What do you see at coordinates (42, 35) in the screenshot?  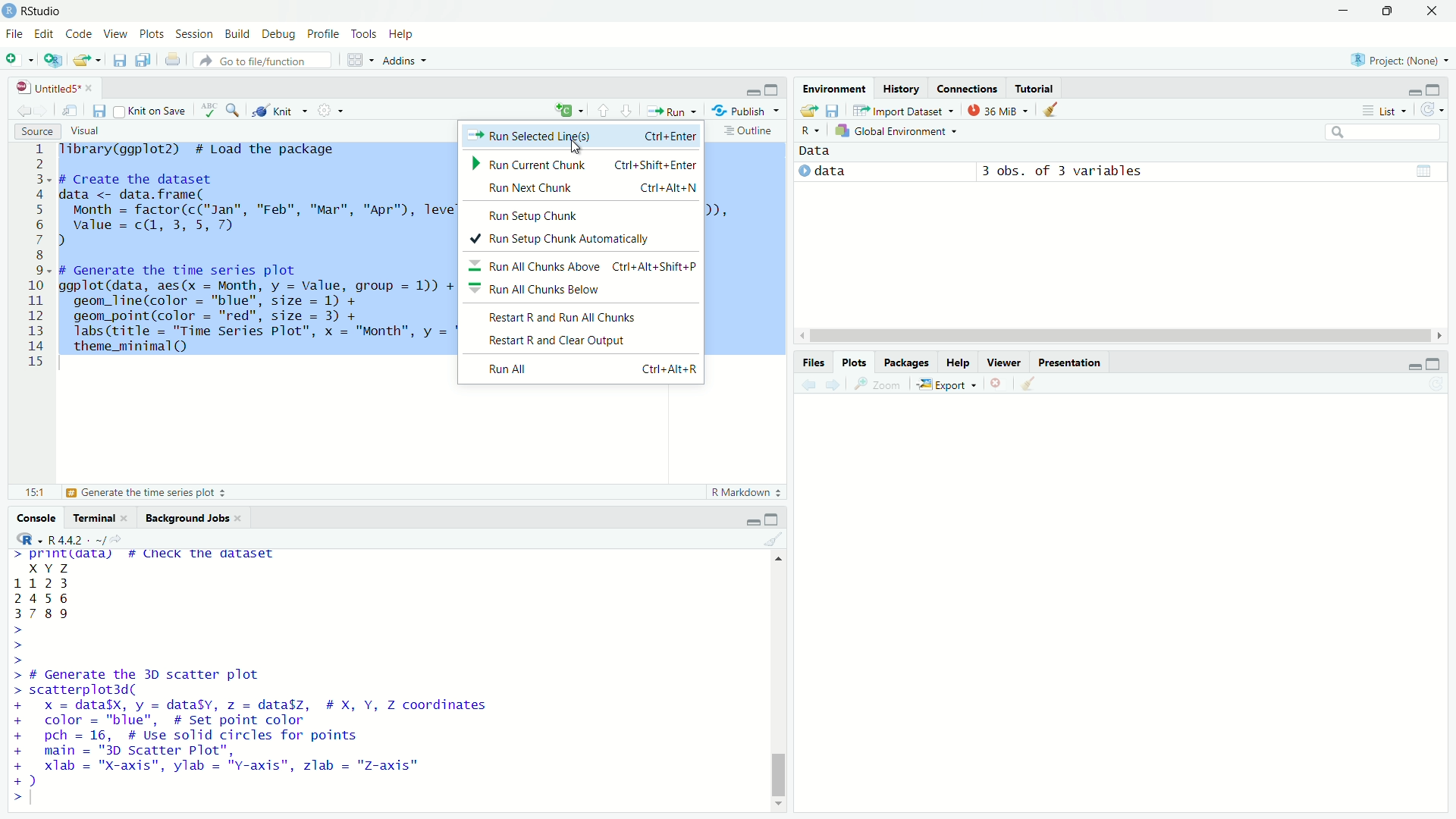 I see `edit` at bounding box center [42, 35].